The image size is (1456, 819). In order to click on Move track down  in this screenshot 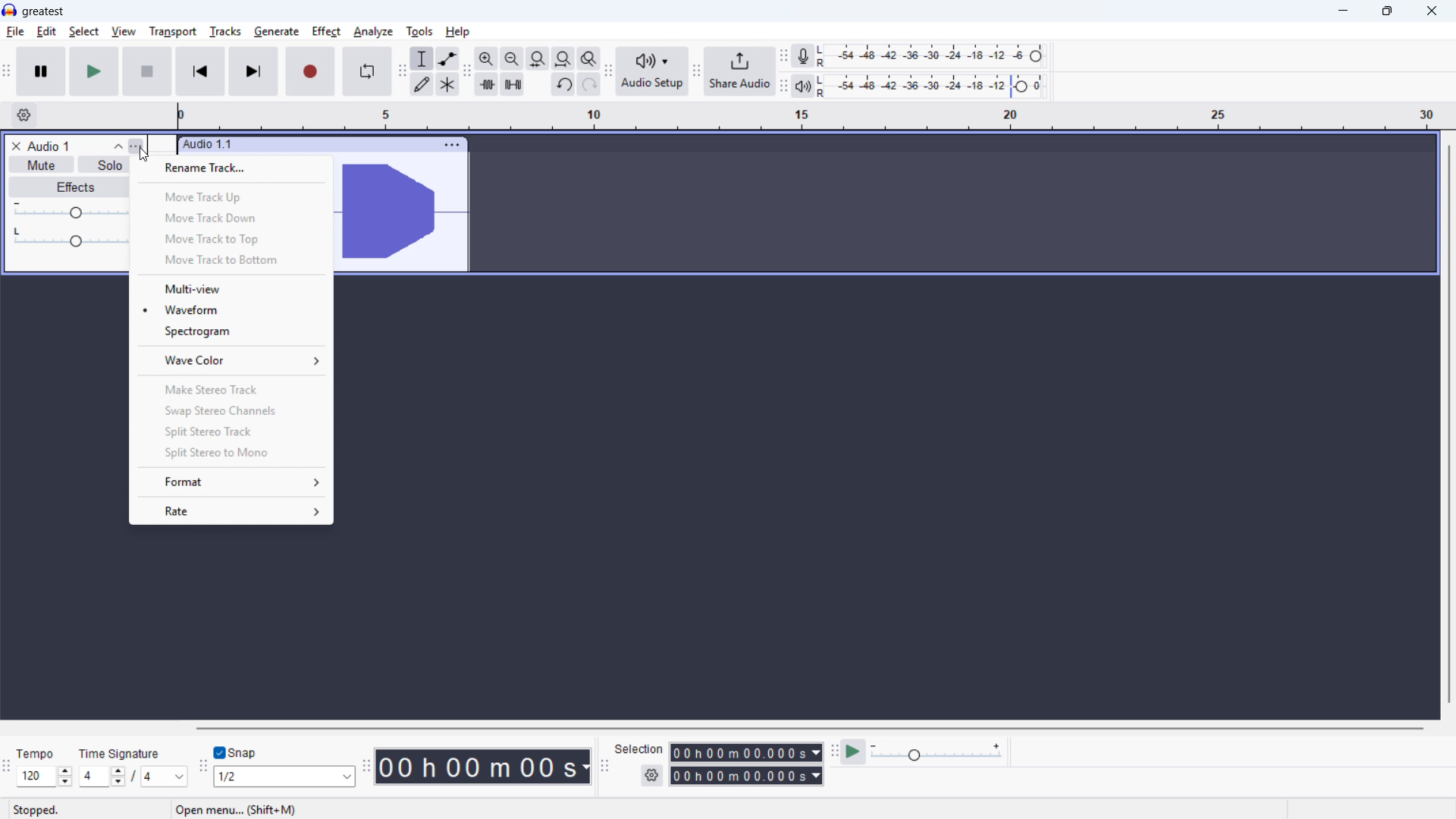, I will do `click(231, 216)`.